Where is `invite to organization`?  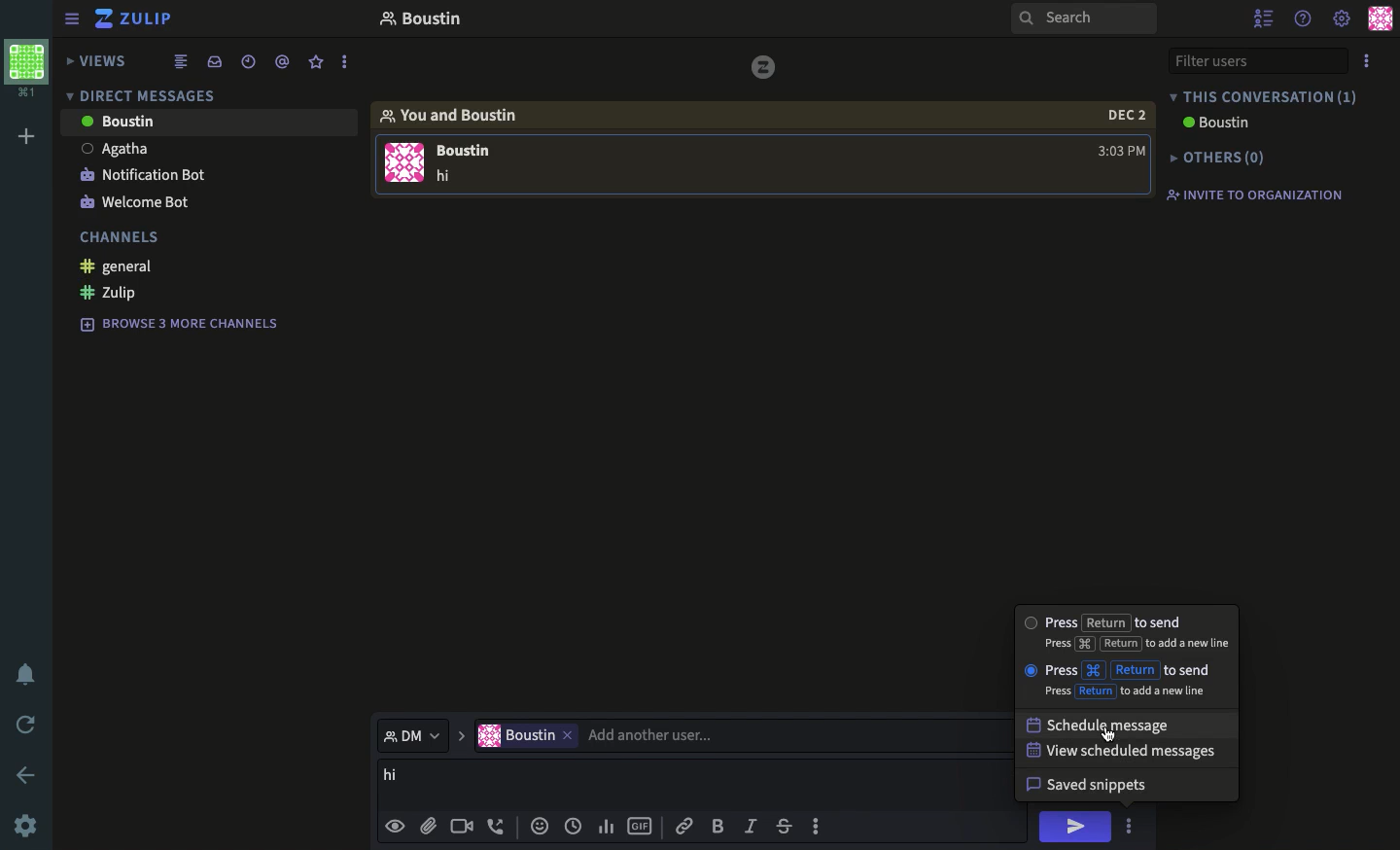 invite to organization is located at coordinates (1263, 194).